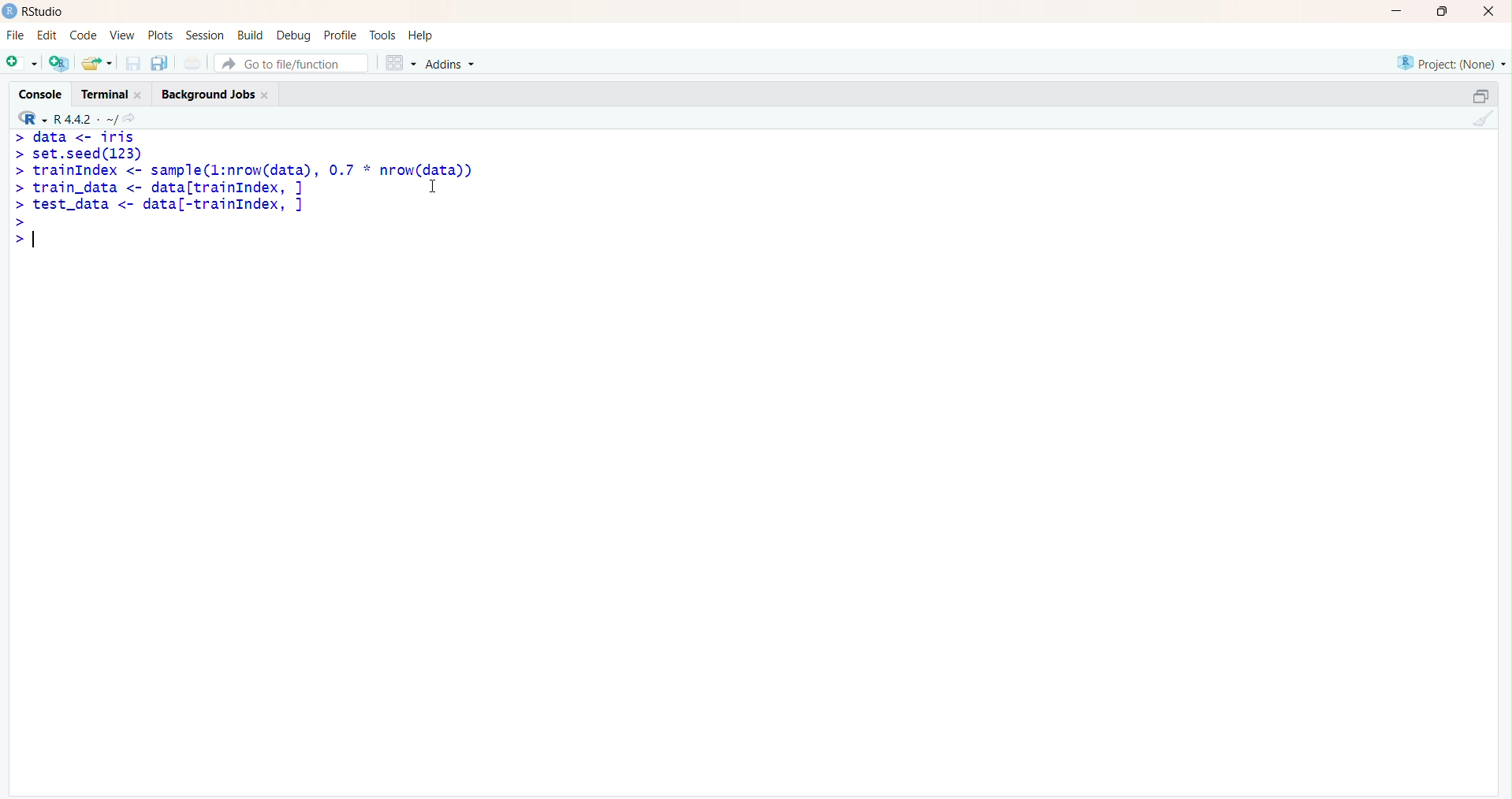 This screenshot has width=1512, height=799. What do you see at coordinates (17, 171) in the screenshot?
I see `Prompt cursor` at bounding box center [17, 171].